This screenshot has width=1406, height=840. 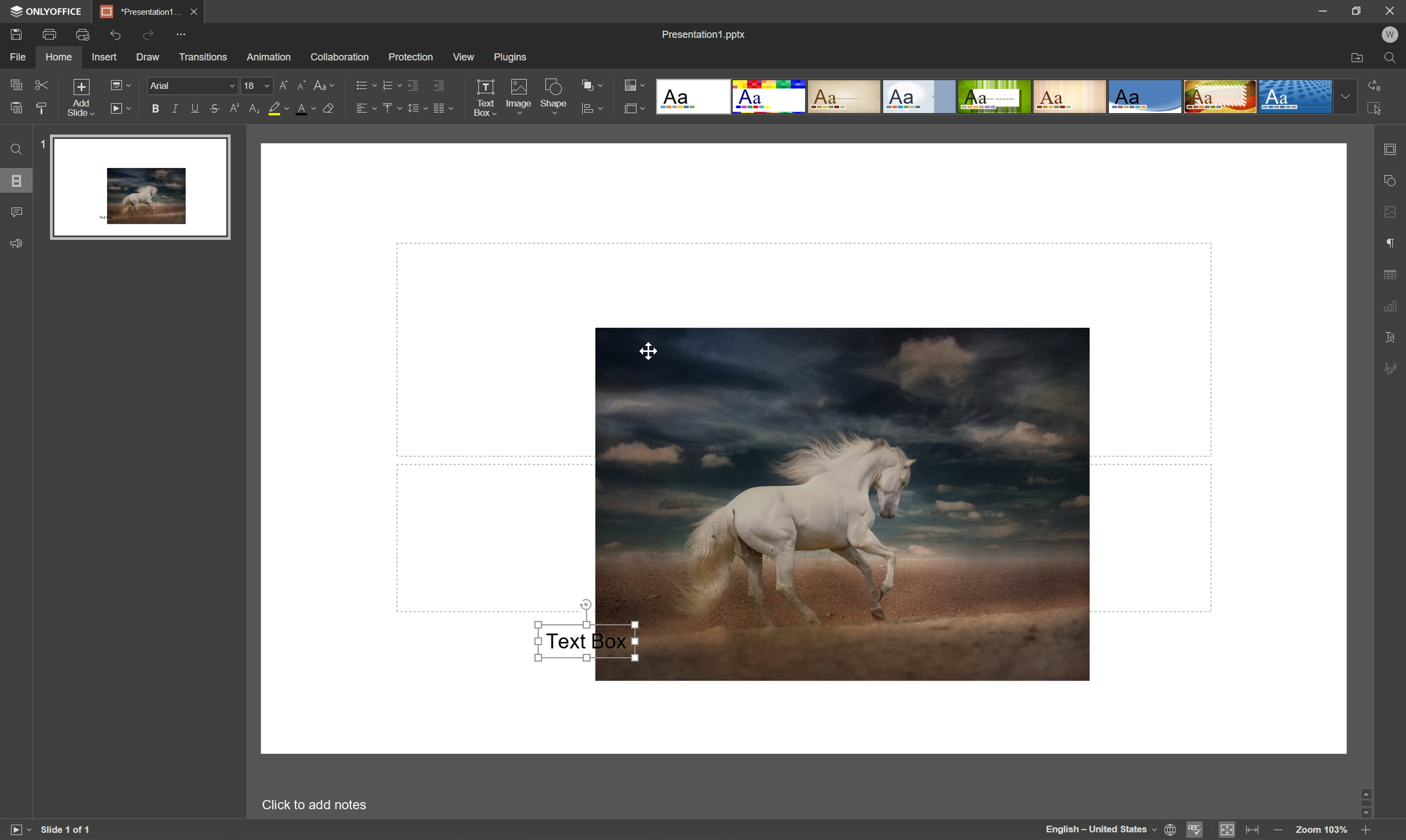 I want to click on Subscript, so click(x=237, y=109).